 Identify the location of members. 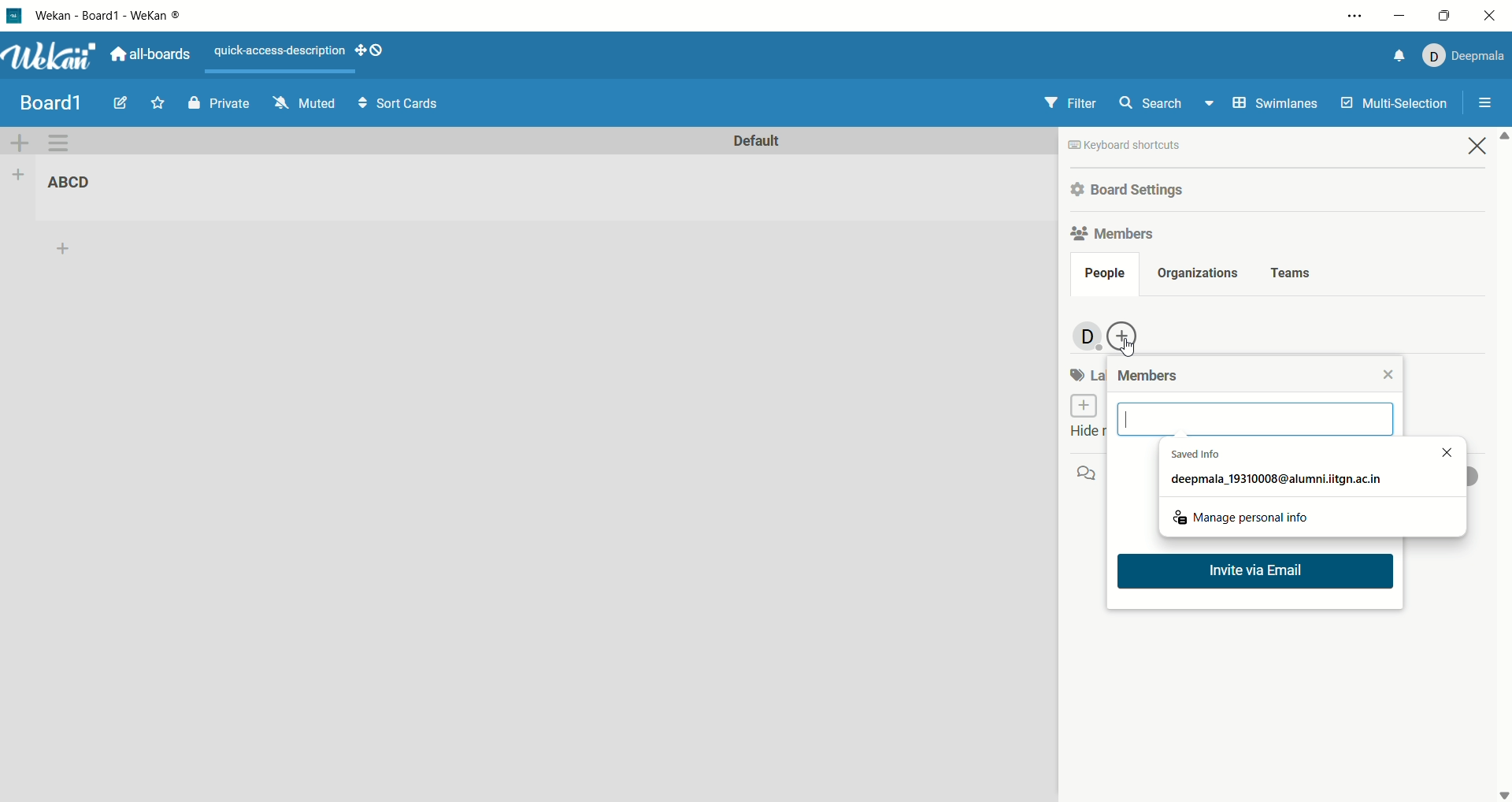
(1116, 232).